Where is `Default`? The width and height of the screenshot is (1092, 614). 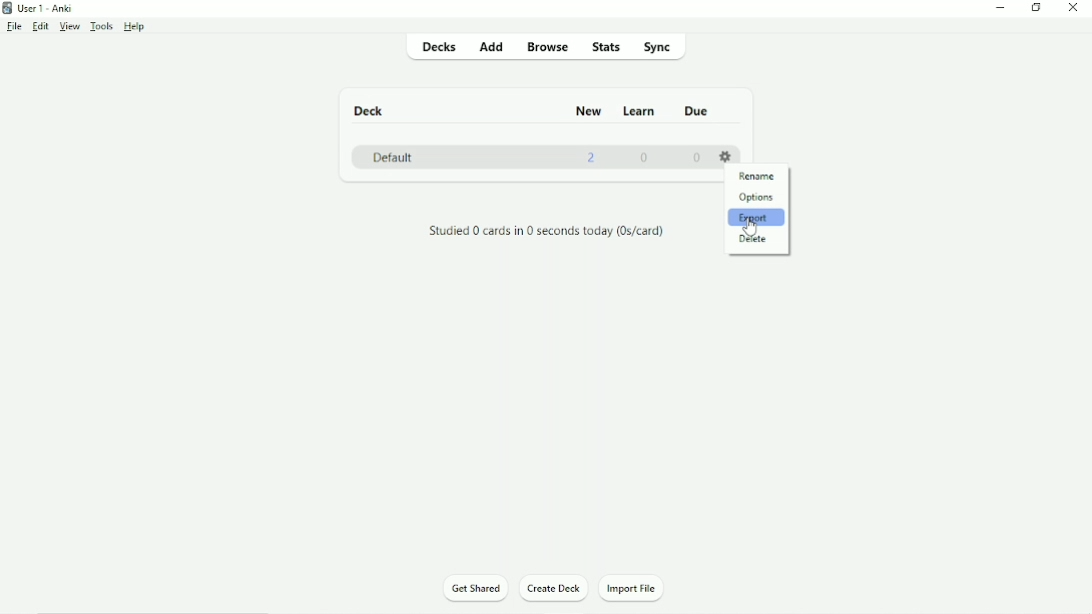
Default is located at coordinates (393, 159).